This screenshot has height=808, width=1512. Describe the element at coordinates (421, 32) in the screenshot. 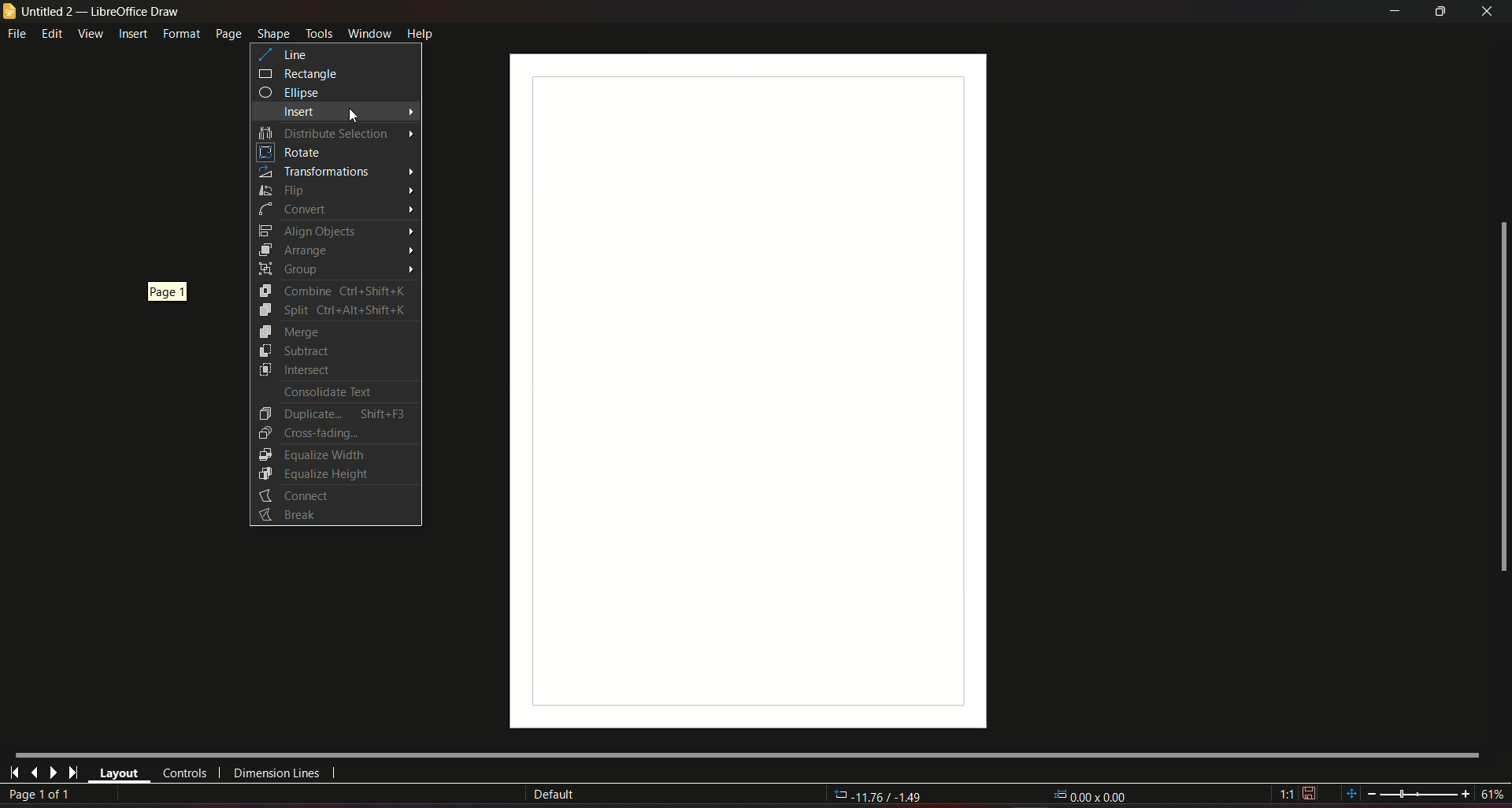

I see `help` at that location.